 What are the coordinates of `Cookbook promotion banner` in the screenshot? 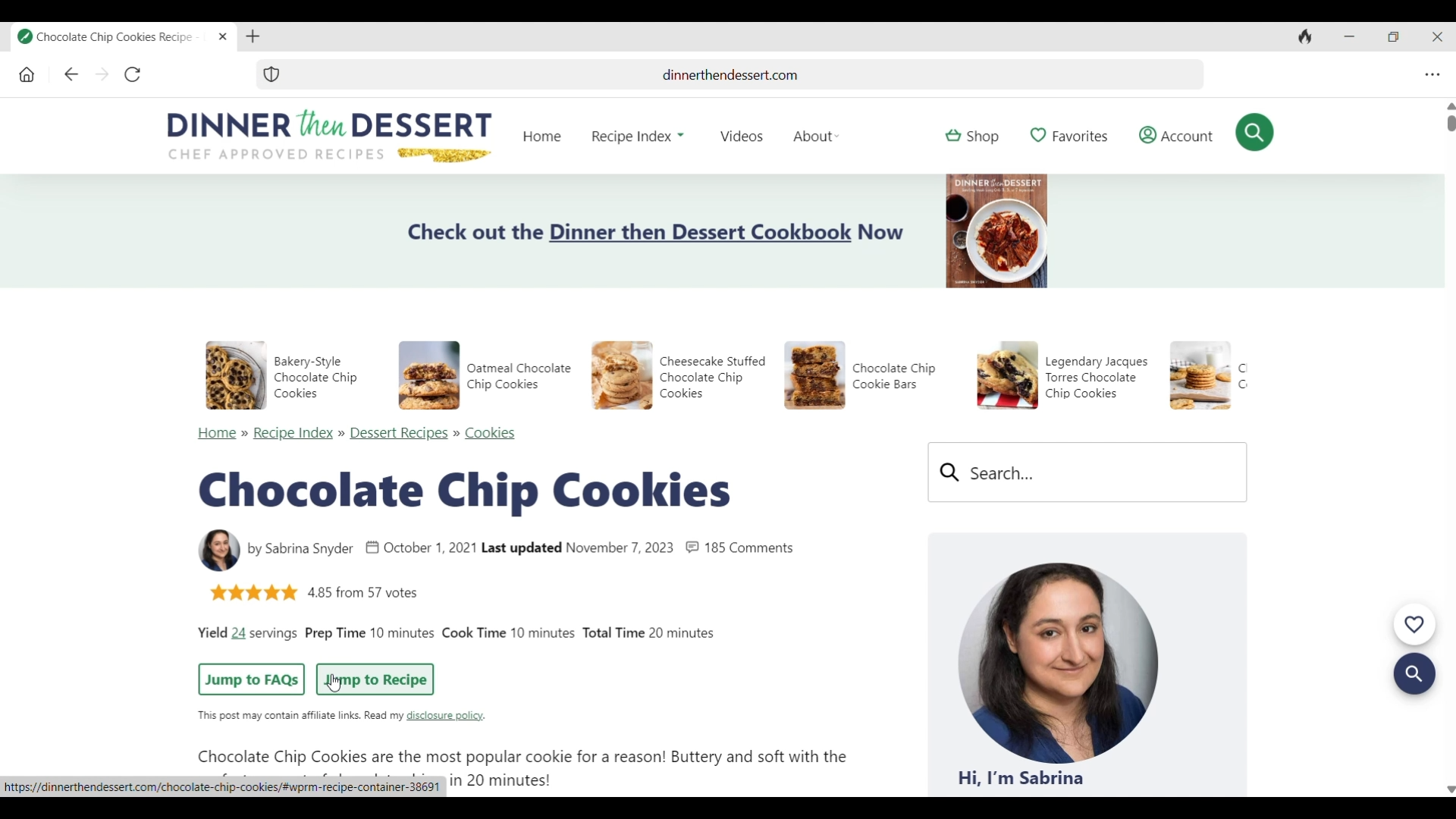 It's located at (996, 231).